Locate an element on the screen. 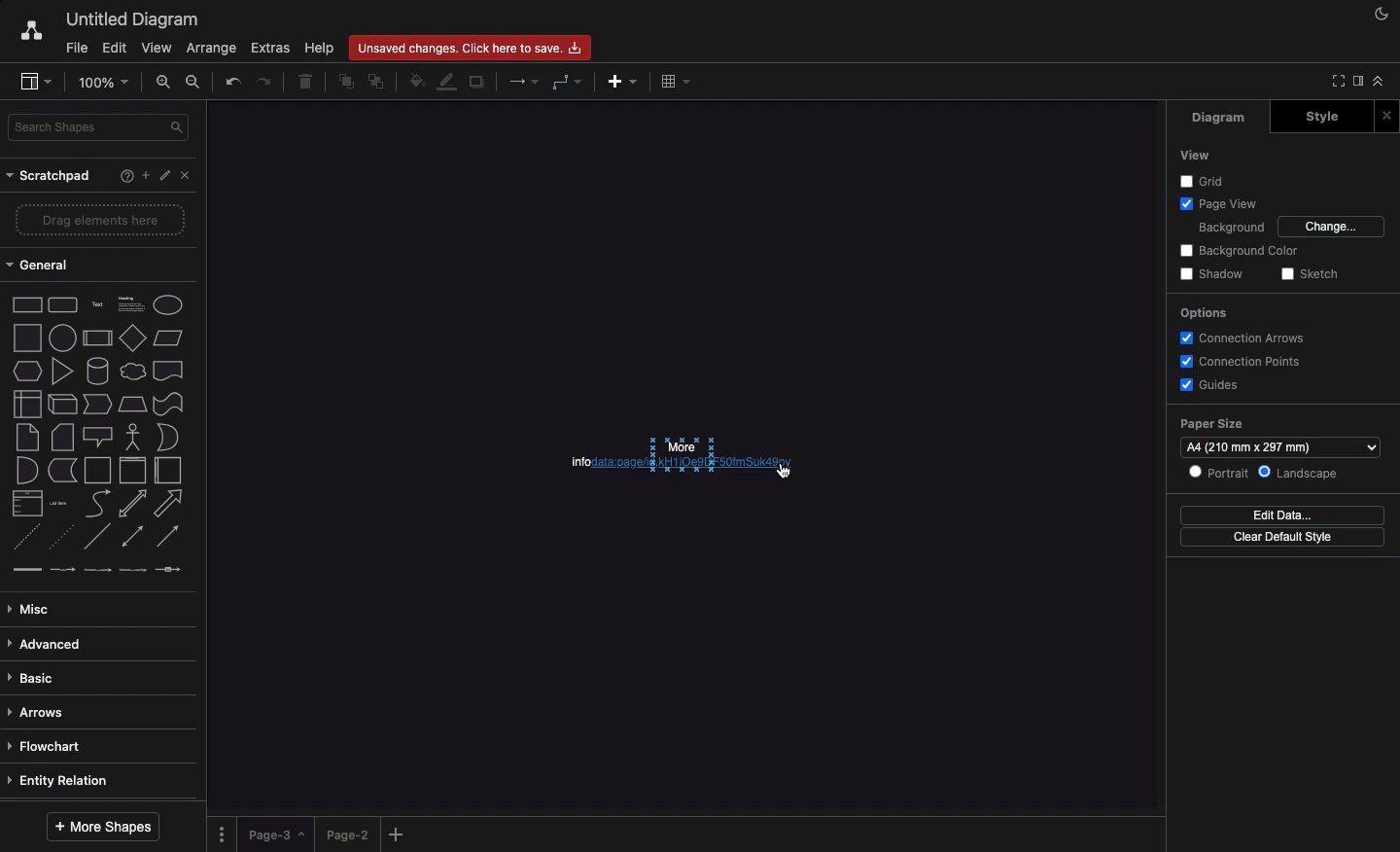  container is located at coordinates (97, 471).